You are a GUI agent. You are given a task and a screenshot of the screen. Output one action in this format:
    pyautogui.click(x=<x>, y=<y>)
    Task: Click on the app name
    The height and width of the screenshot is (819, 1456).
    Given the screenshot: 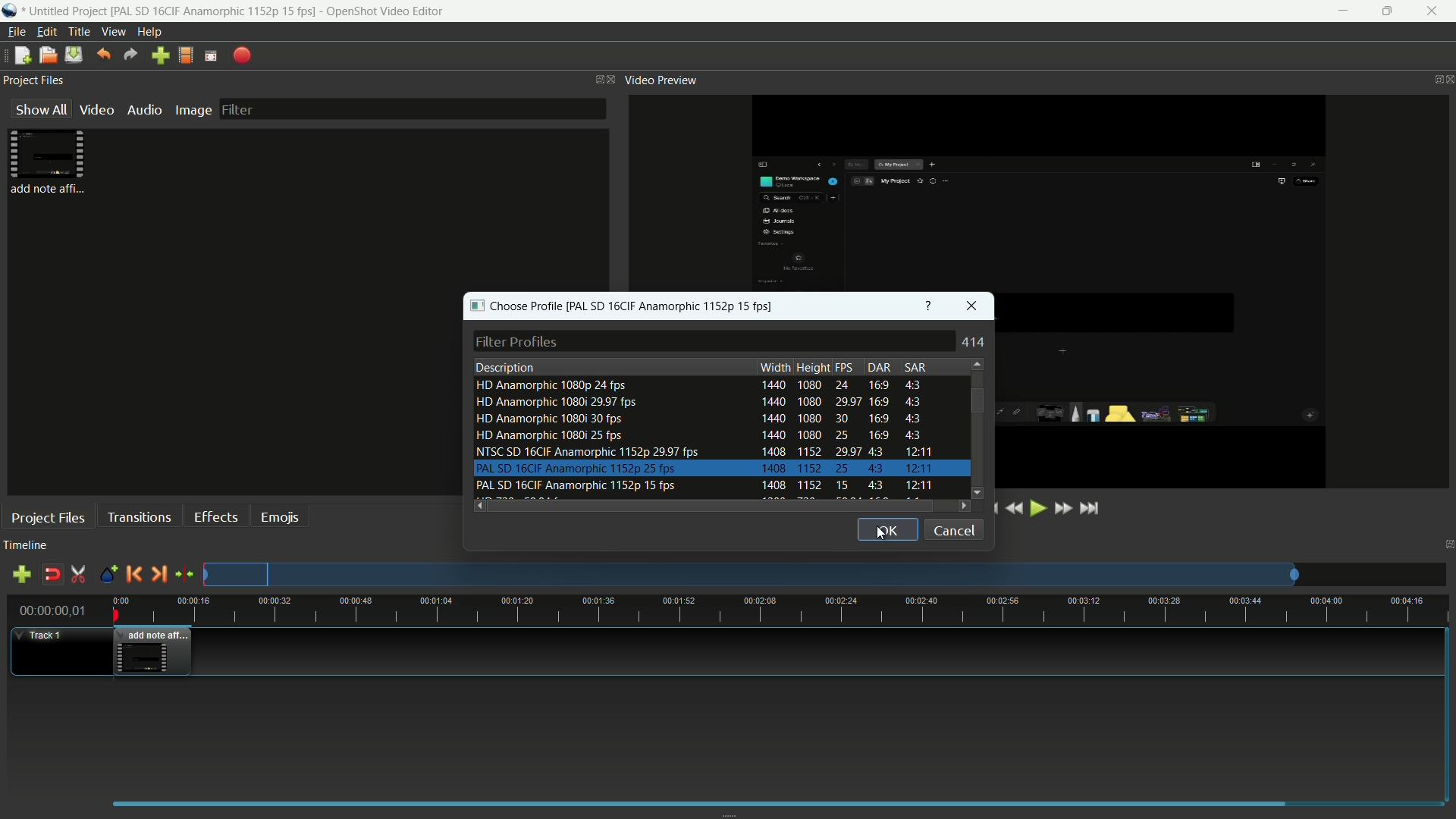 What is the action you would take?
    pyautogui.click(x=388, y=11)
    